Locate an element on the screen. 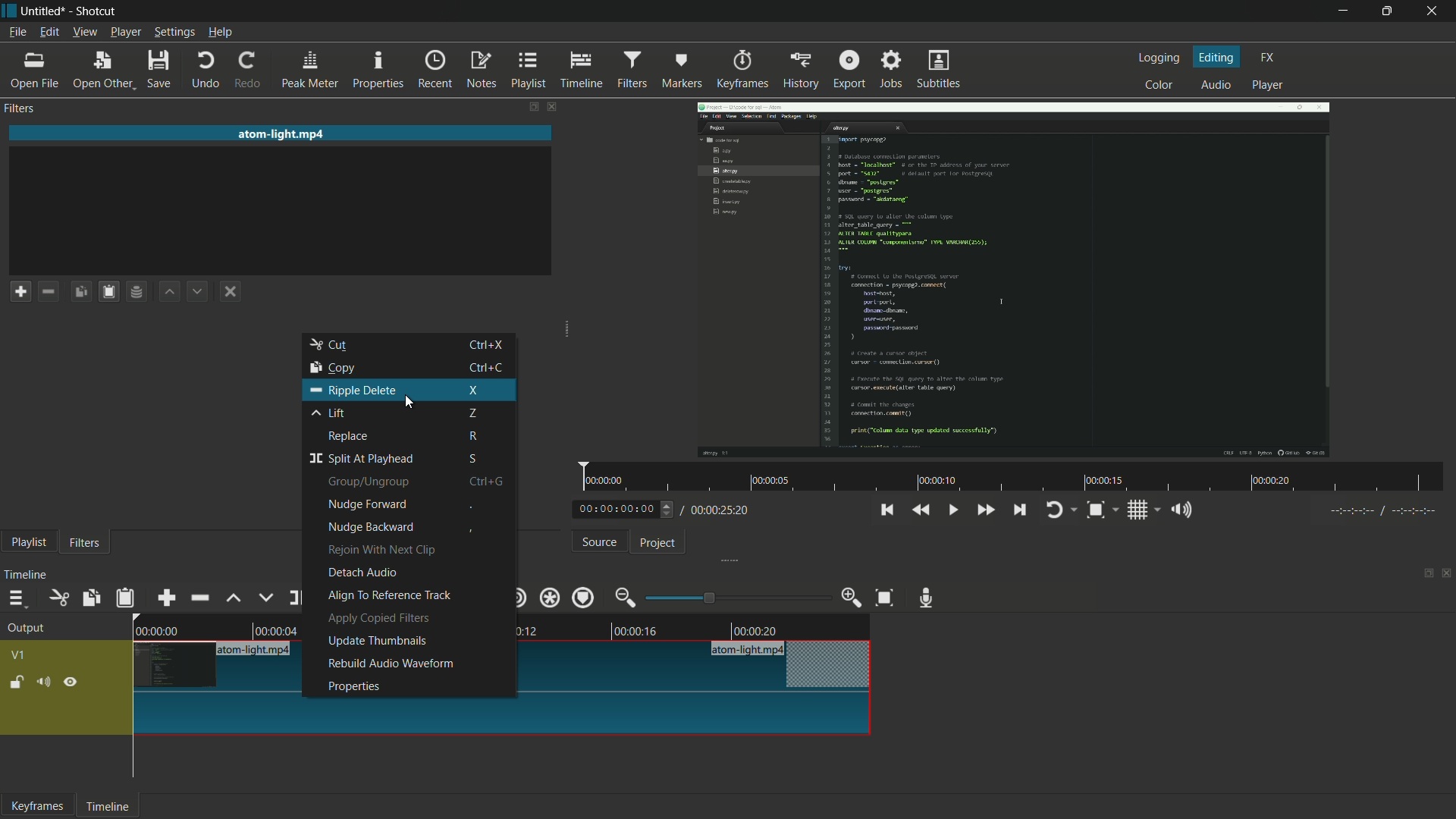 The height and width of the screenshot is (819, 1456). peak meter is located at coordinates (309, 71).